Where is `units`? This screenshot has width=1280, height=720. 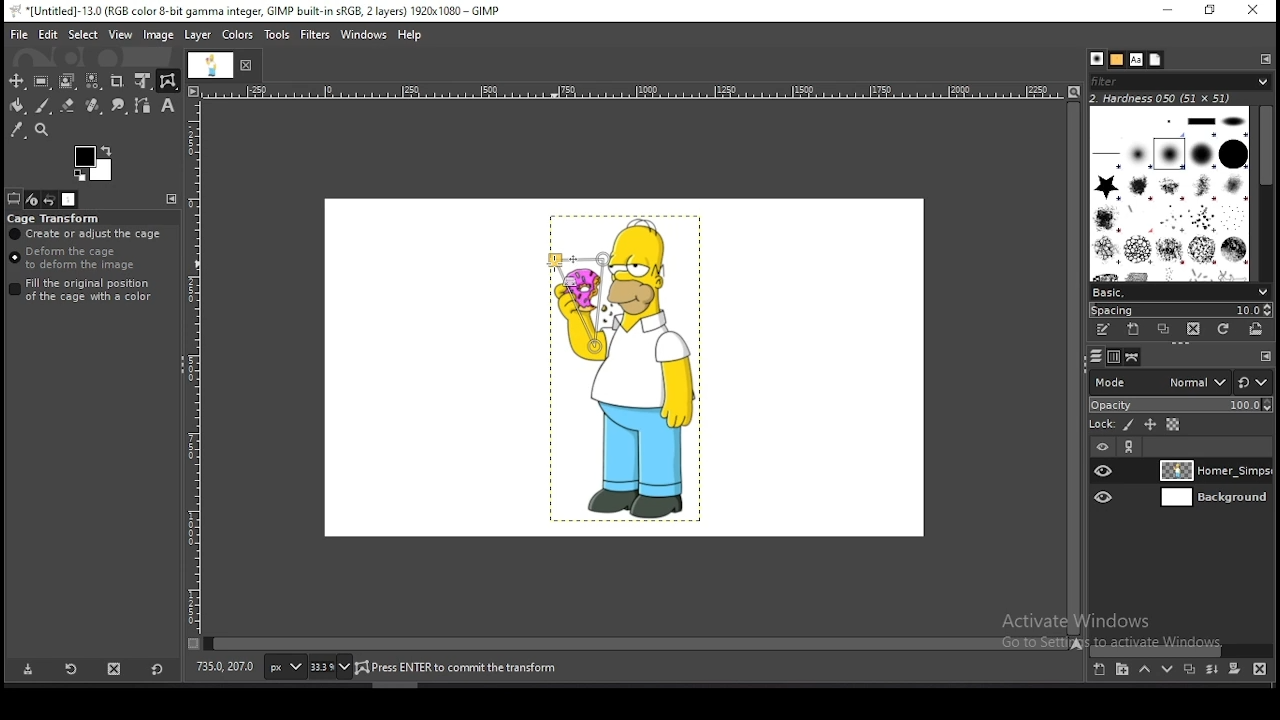
units is located at coordinates (283, 668).